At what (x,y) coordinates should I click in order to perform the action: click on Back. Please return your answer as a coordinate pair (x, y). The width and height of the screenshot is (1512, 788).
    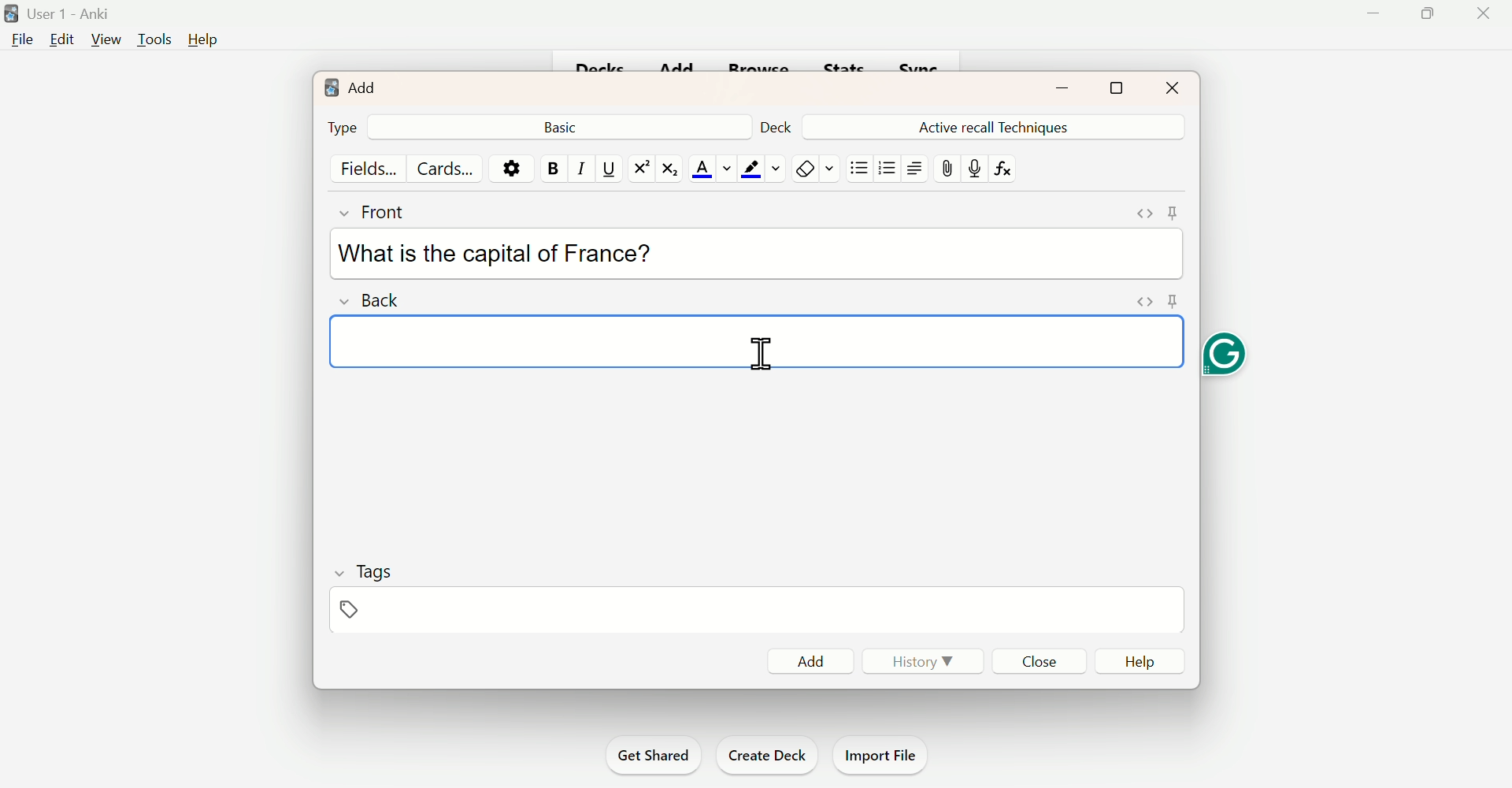
    Looking at the image, I should click on (373, 299).